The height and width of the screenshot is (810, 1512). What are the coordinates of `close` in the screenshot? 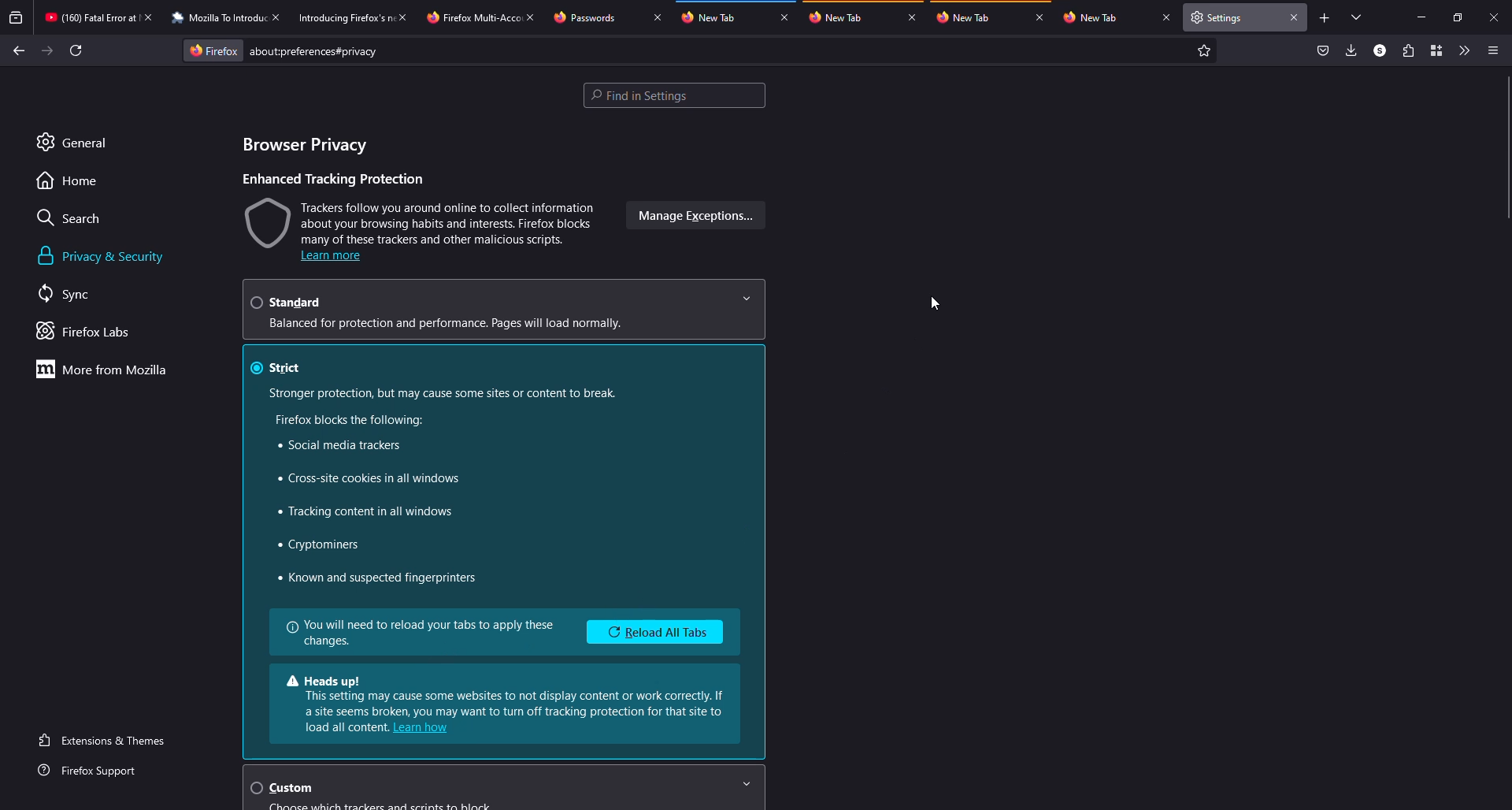 It's located at (655, 17).